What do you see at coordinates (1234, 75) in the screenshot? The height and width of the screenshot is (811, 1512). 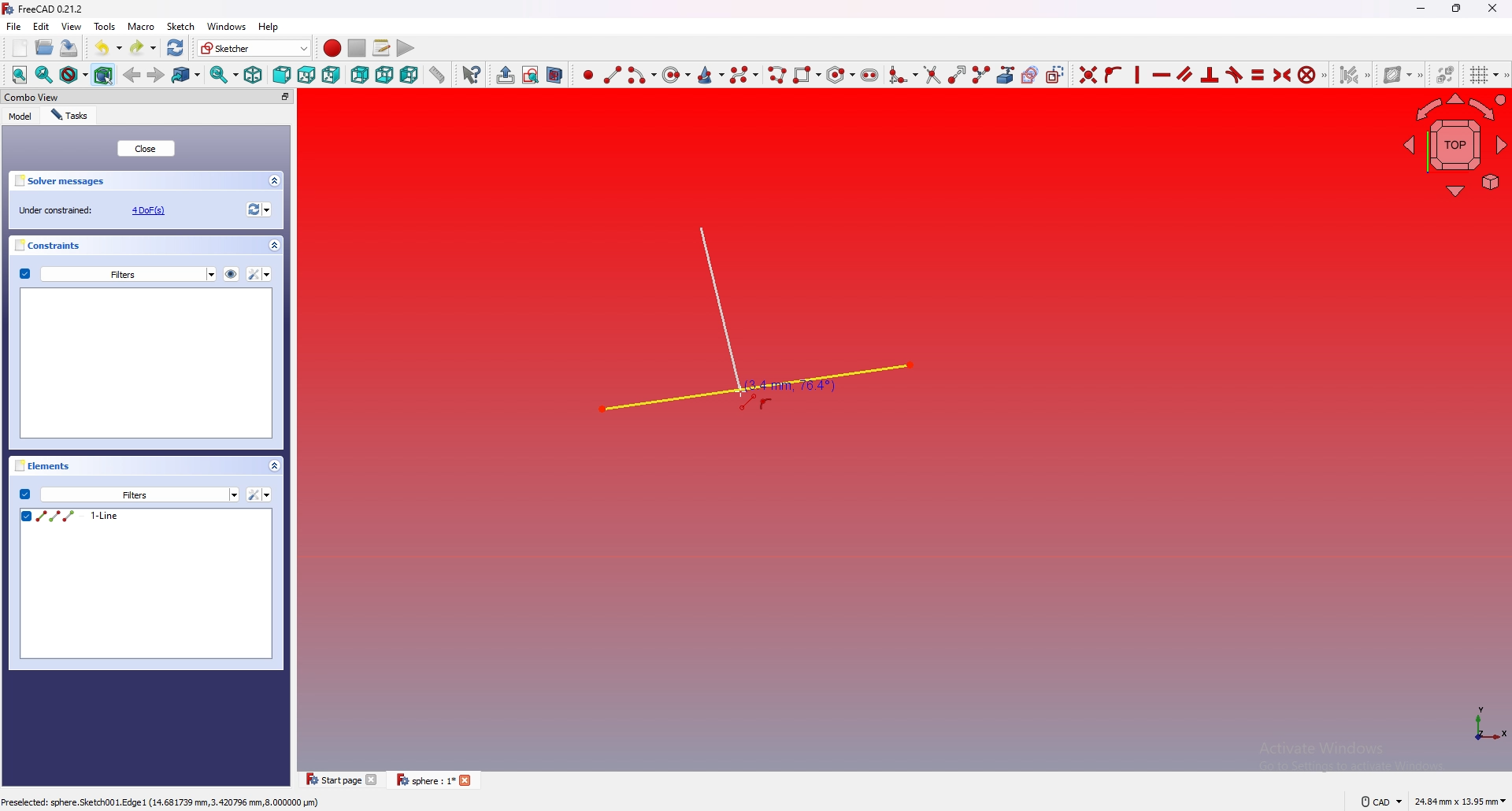 I see `Constrain tangent` at bounding box center [1234, 75].